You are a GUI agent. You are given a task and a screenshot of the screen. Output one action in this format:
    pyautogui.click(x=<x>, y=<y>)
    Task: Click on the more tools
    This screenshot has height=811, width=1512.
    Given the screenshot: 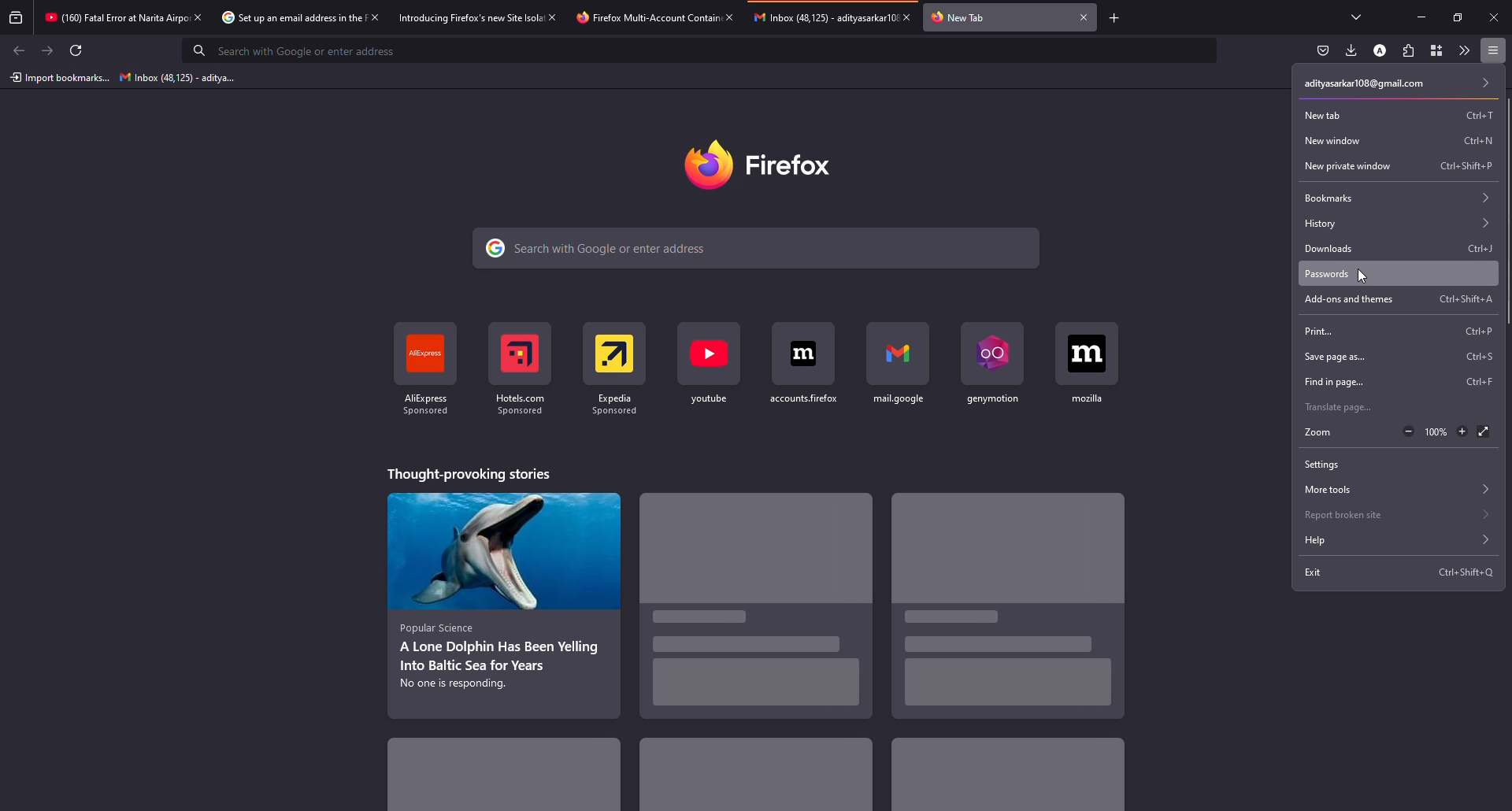 What is the action you would take?
    pyautogui.click(x=1396, y=490)
    